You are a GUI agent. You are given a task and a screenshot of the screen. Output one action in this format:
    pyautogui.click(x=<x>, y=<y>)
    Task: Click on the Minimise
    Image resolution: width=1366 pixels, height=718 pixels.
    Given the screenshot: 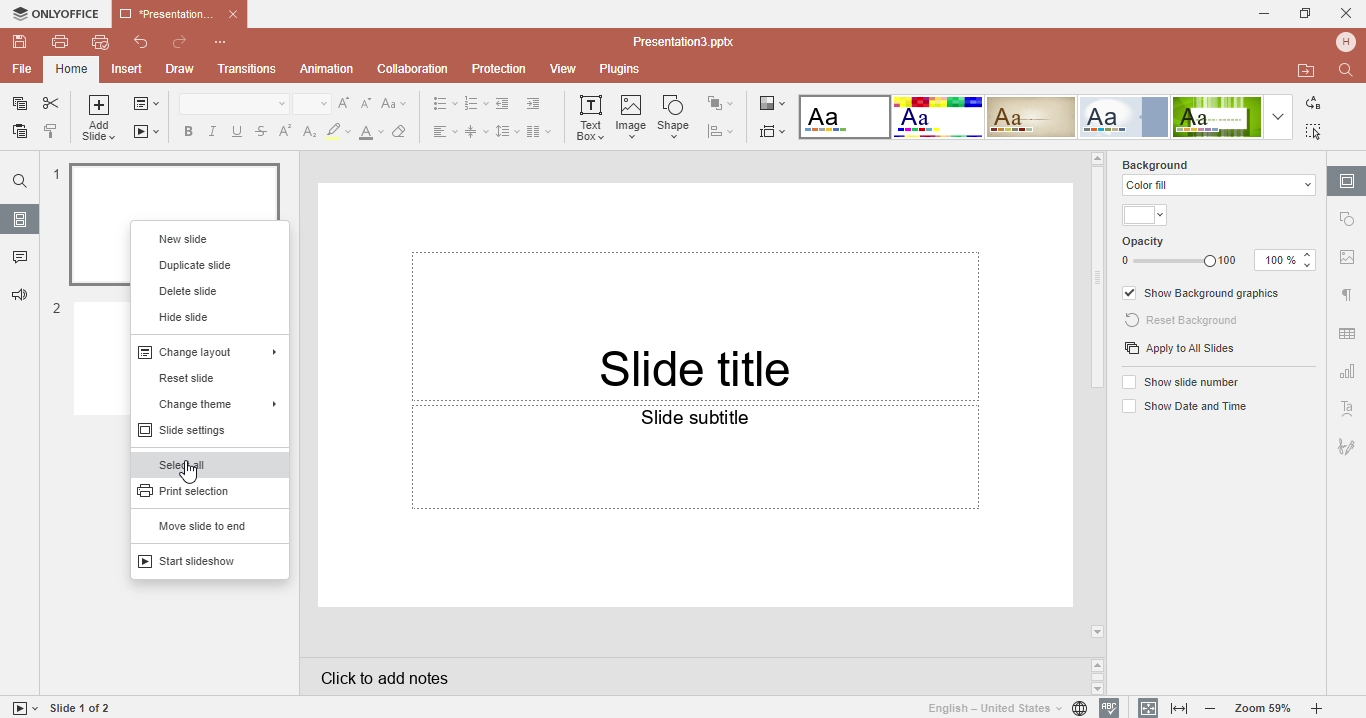 What is the action you would take?
    pyautogui.click(x=1258, y=13)
    